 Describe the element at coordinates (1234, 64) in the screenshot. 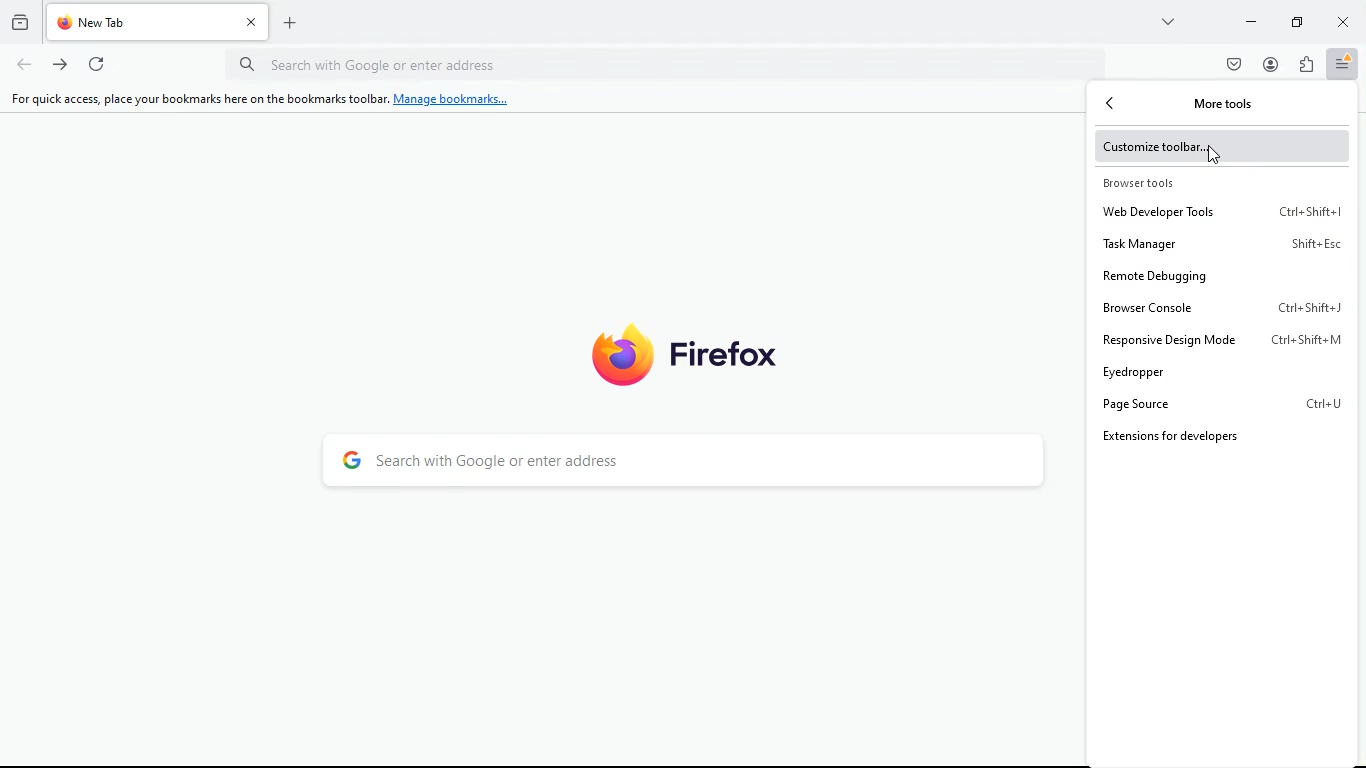

I see `pocket` at that location.